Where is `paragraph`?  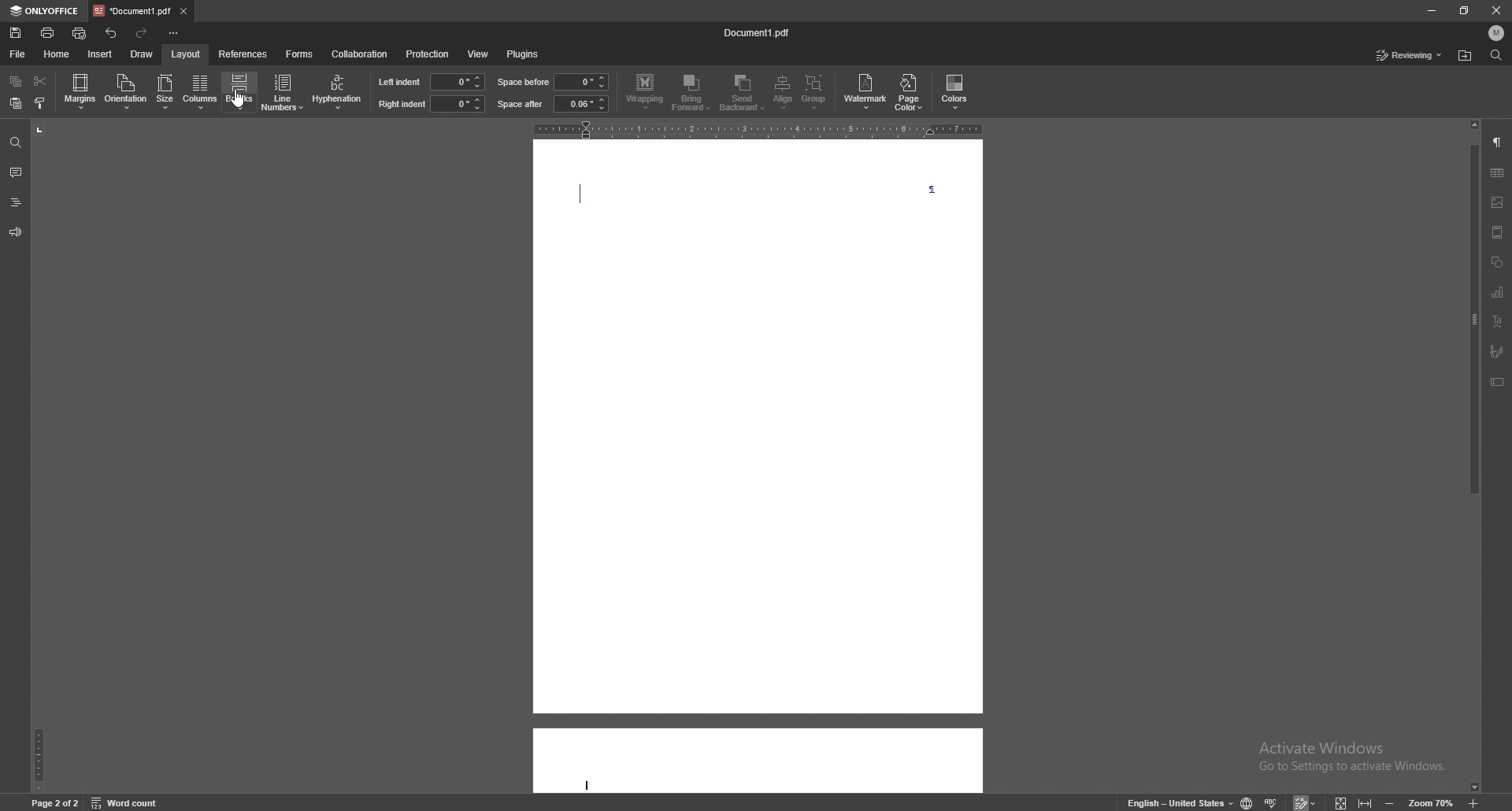
paragraph is located at coordinates (1497, 143).